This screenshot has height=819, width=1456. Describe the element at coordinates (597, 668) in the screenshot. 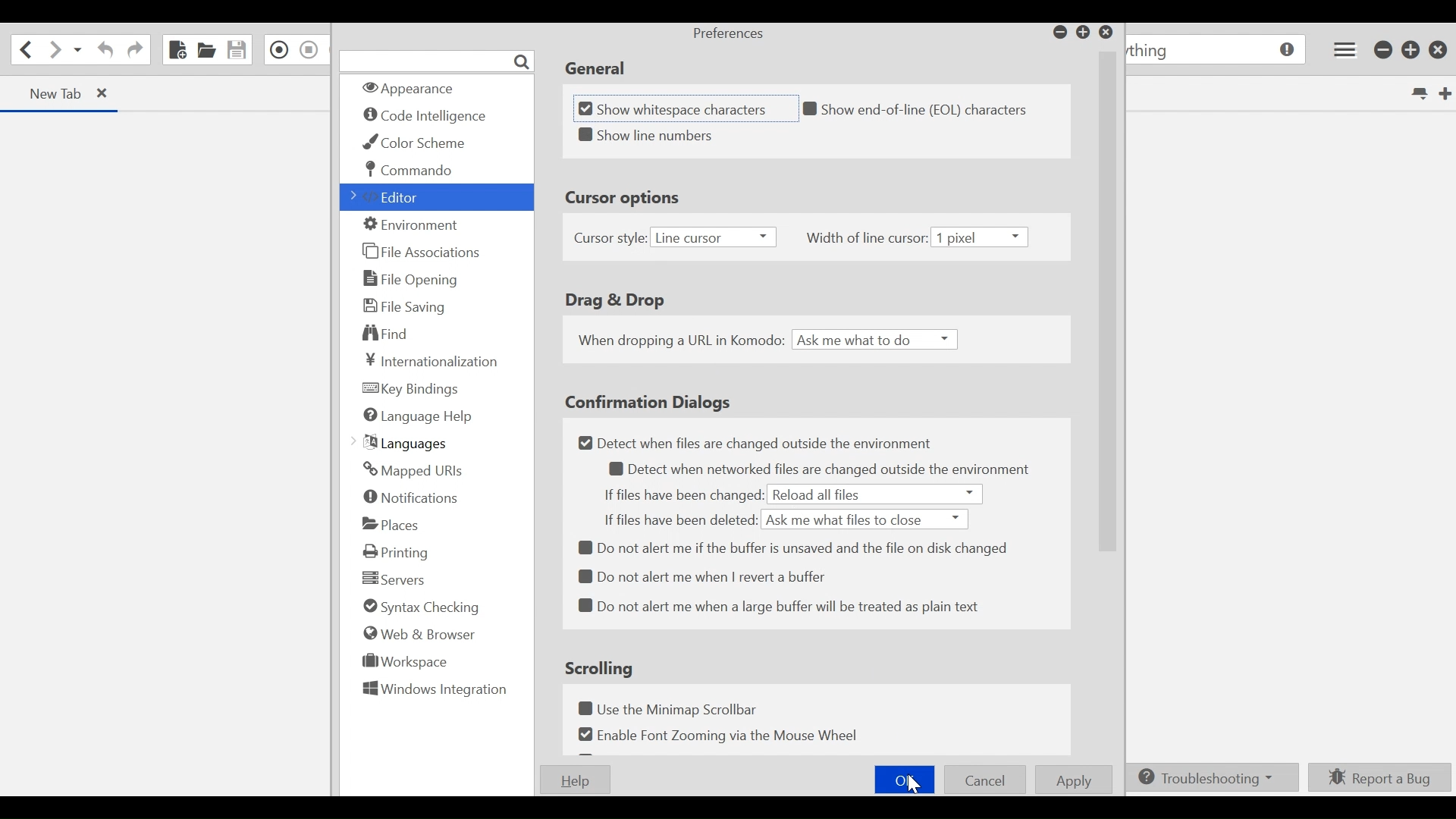

I see `Scrolling` at that location.